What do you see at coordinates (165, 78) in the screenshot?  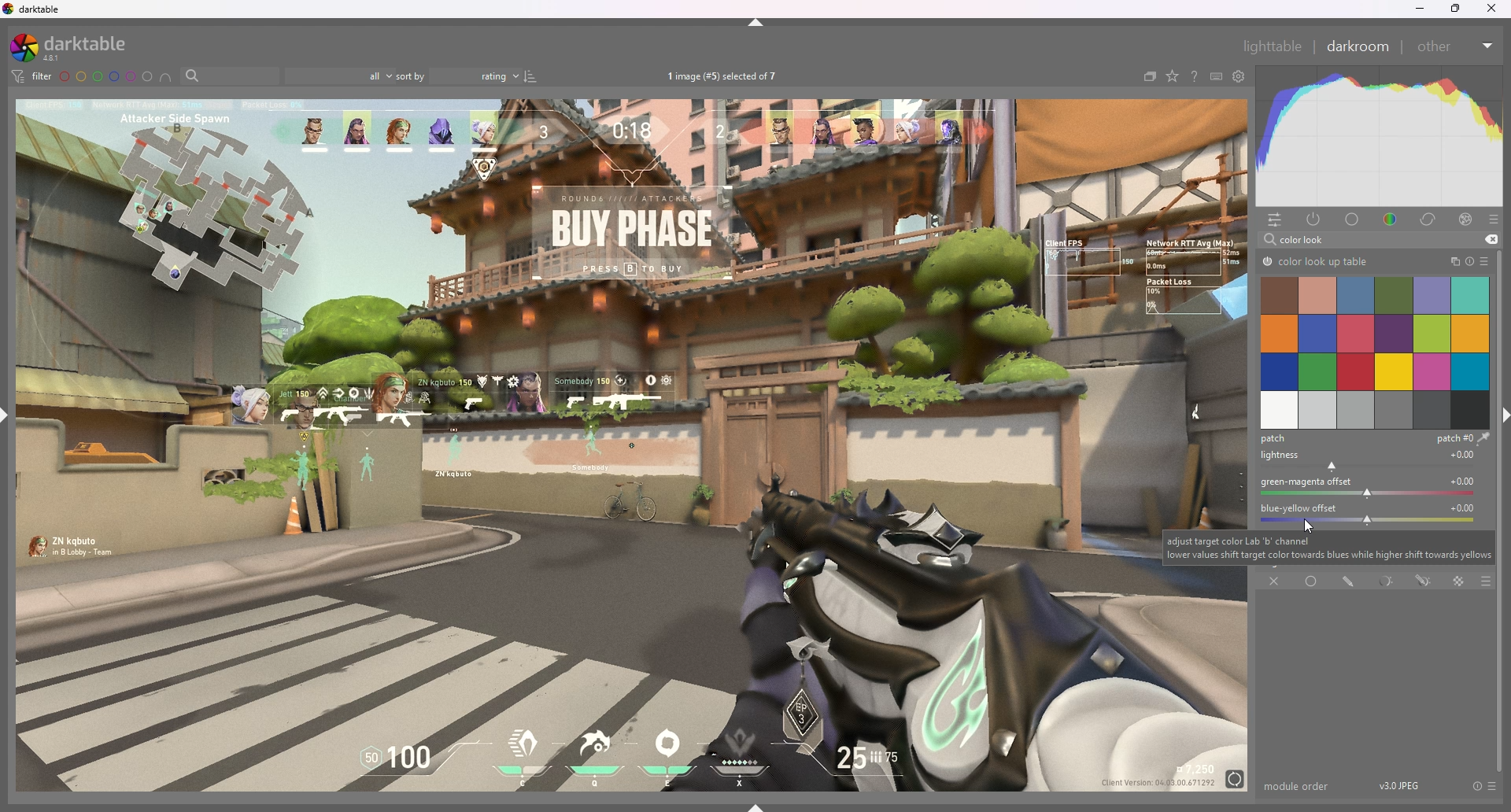 I see `include colors` at bounding box center [165, 78].